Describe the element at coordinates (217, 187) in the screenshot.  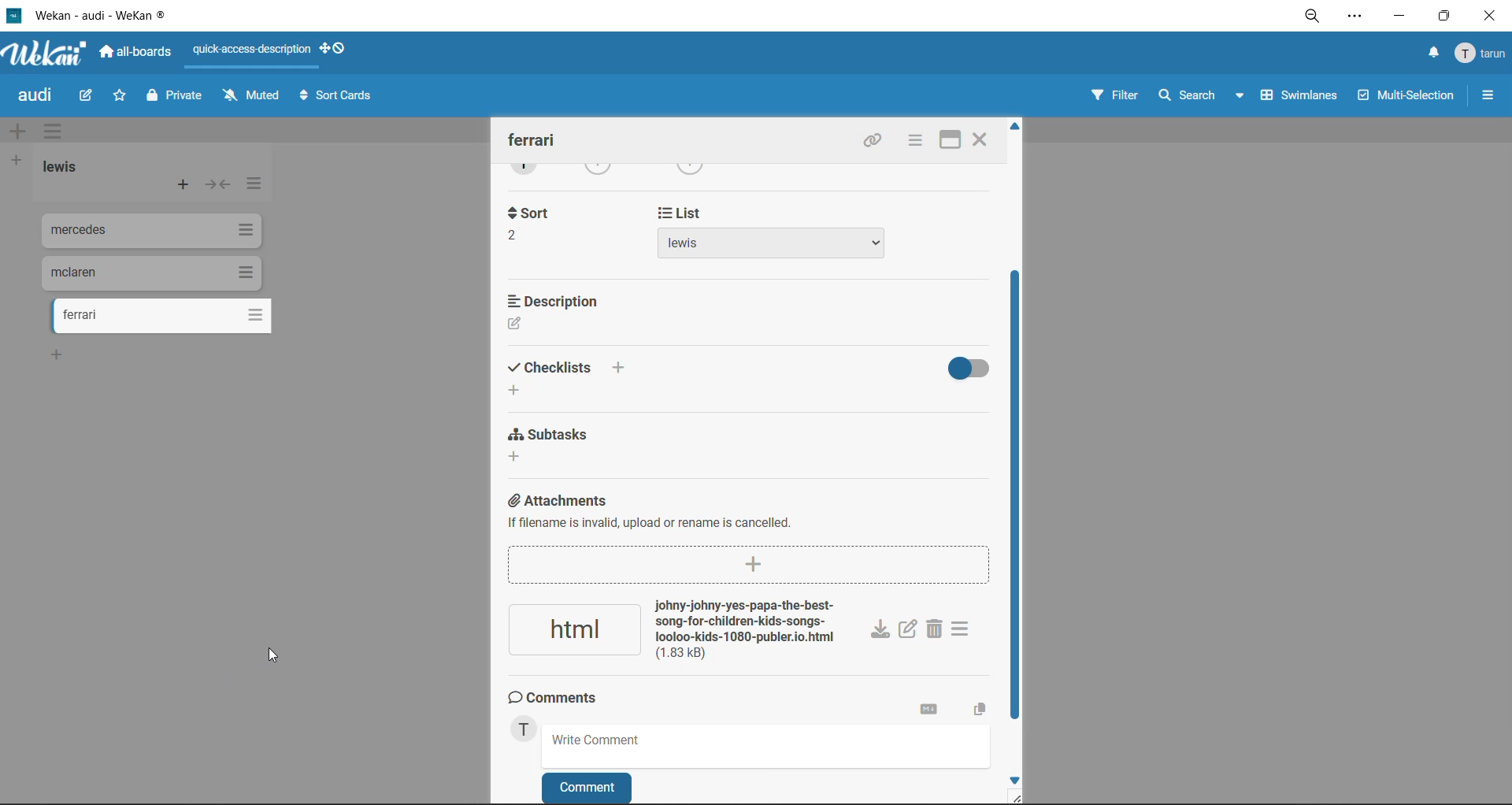
I see `collapse` at that location.